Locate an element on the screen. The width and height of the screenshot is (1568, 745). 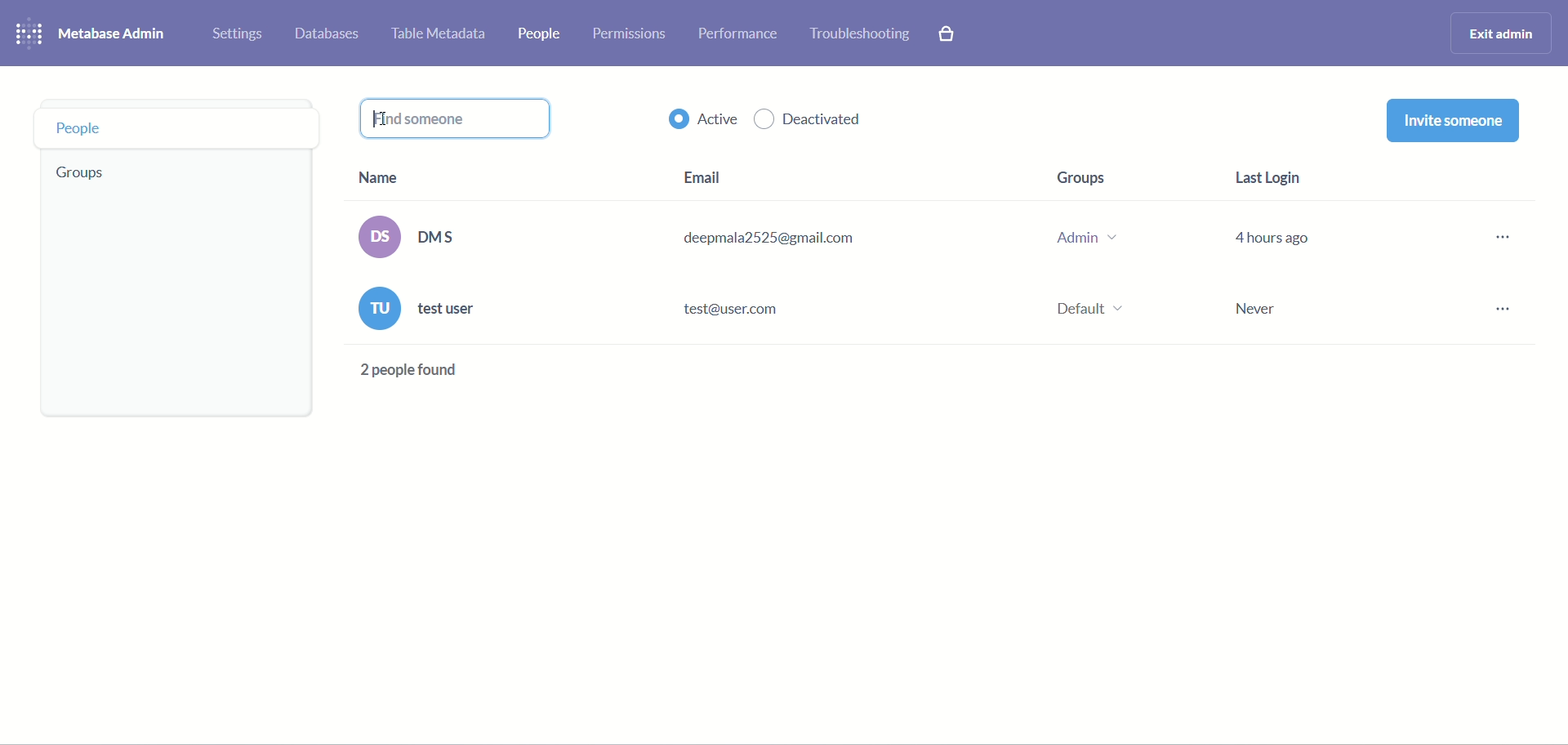
metabase admin is located at coordinates (115, 36).